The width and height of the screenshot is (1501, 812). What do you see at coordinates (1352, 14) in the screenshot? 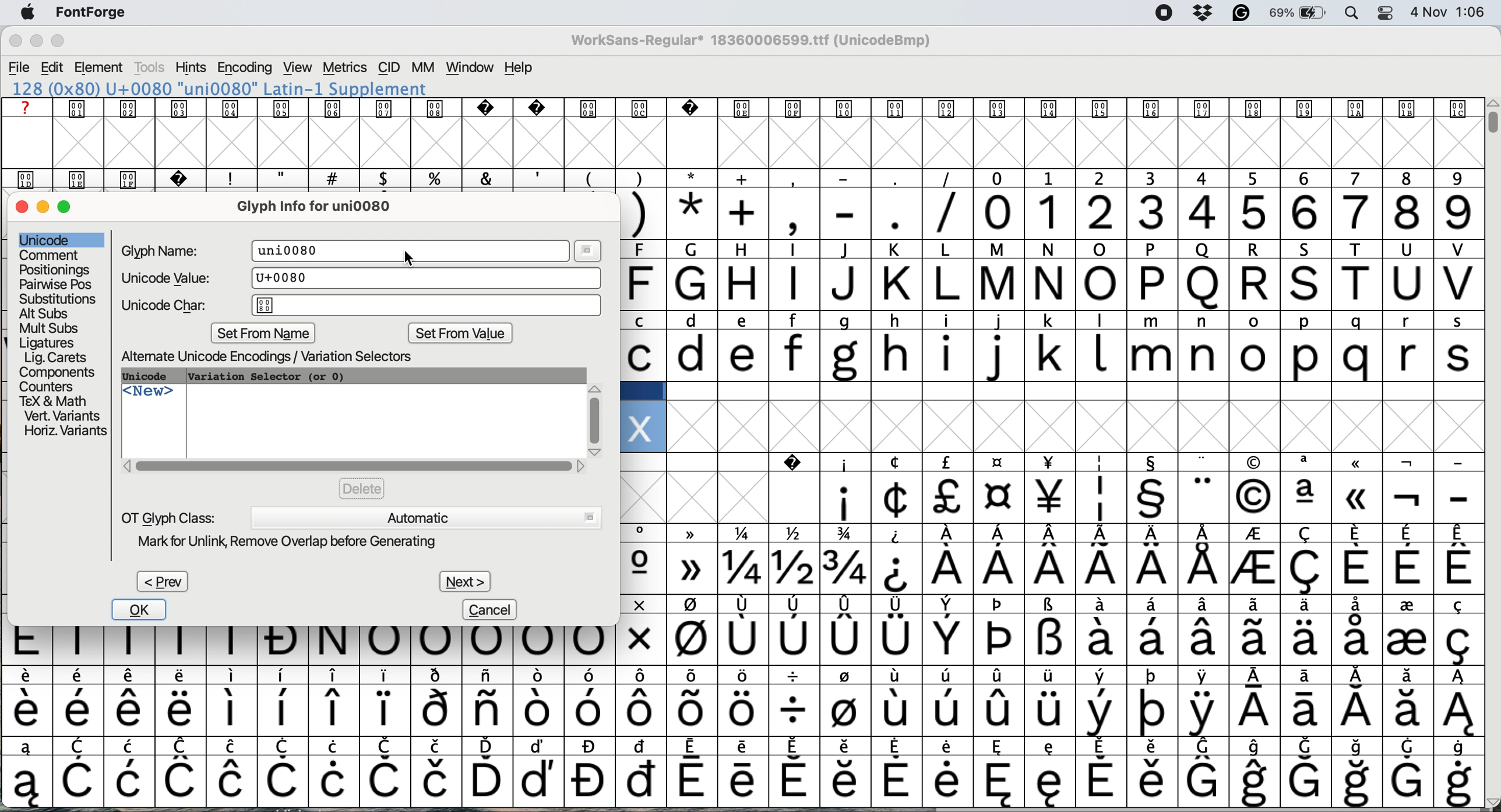
I see `spotlight search` at bounding box center [1352, 14].